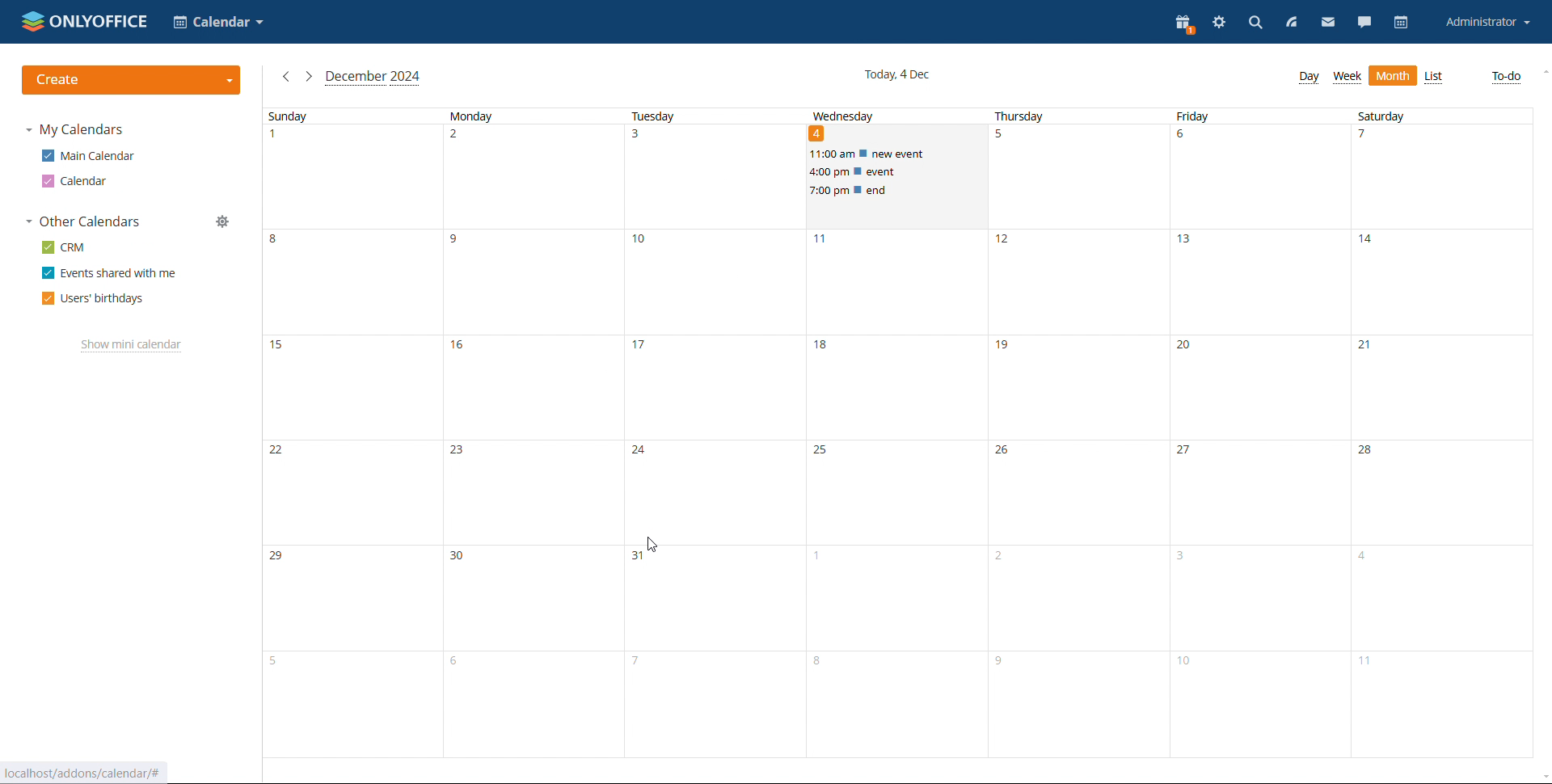 This screenshot has height=784, width=1552. Describe the element at coordinates (1217, 25) in the screenshot. I see `settings` at that location.